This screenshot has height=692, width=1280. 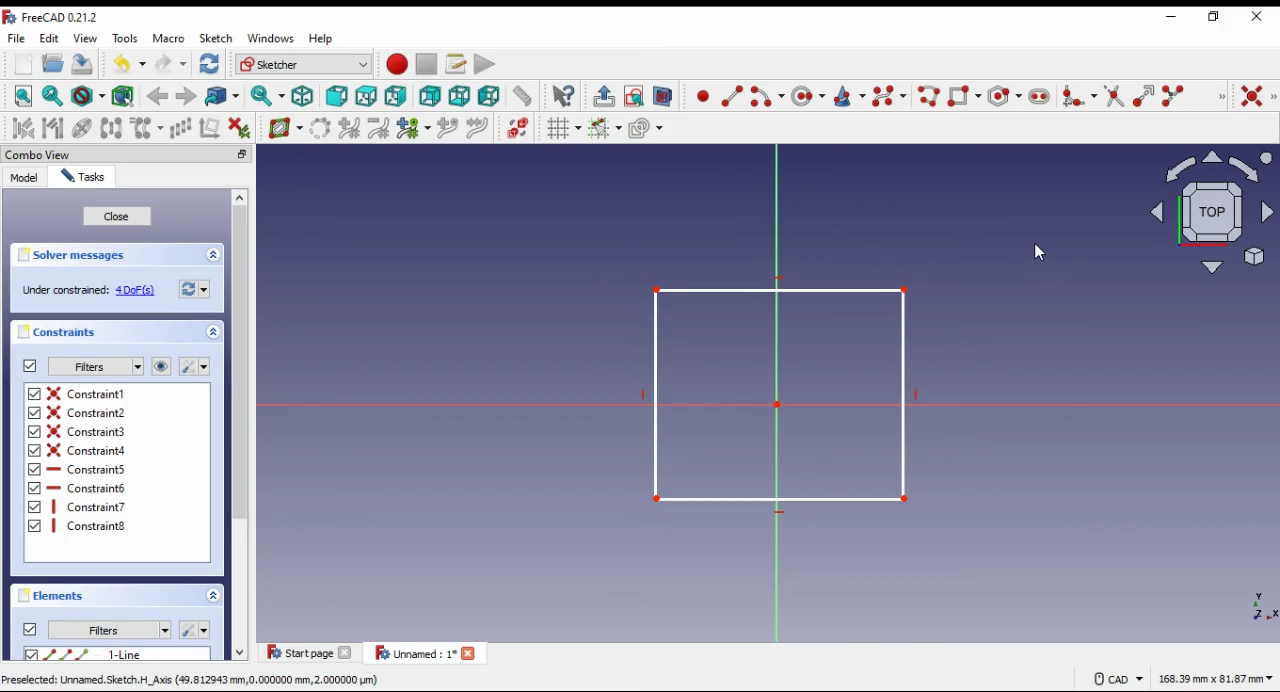 I want to click on go to linked object, so click(x=223, y=96).